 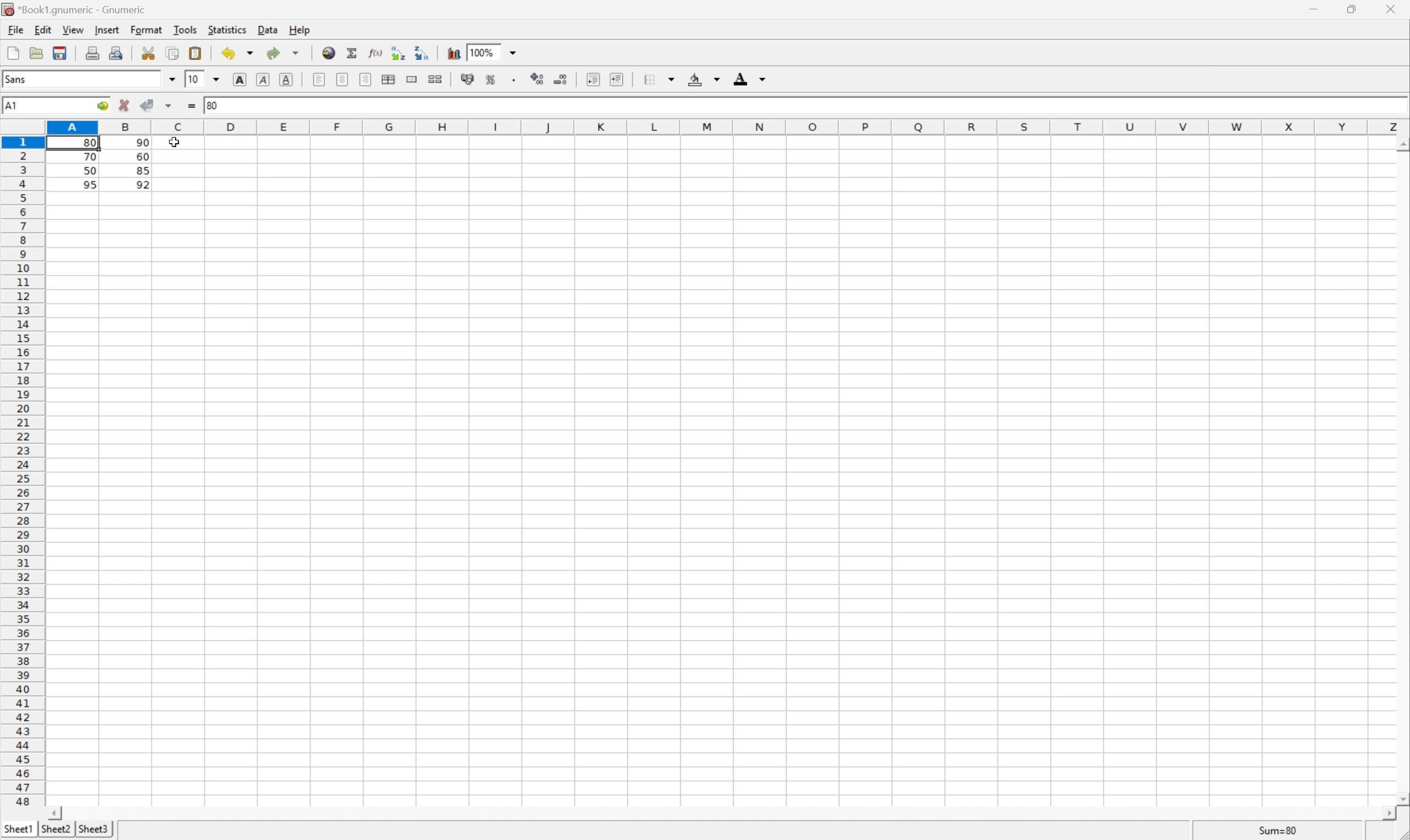 What do you see at coordinates (437, 79) in the screenshot?
I see `Split merged ranges of cells` at bounding box center [437, 79].